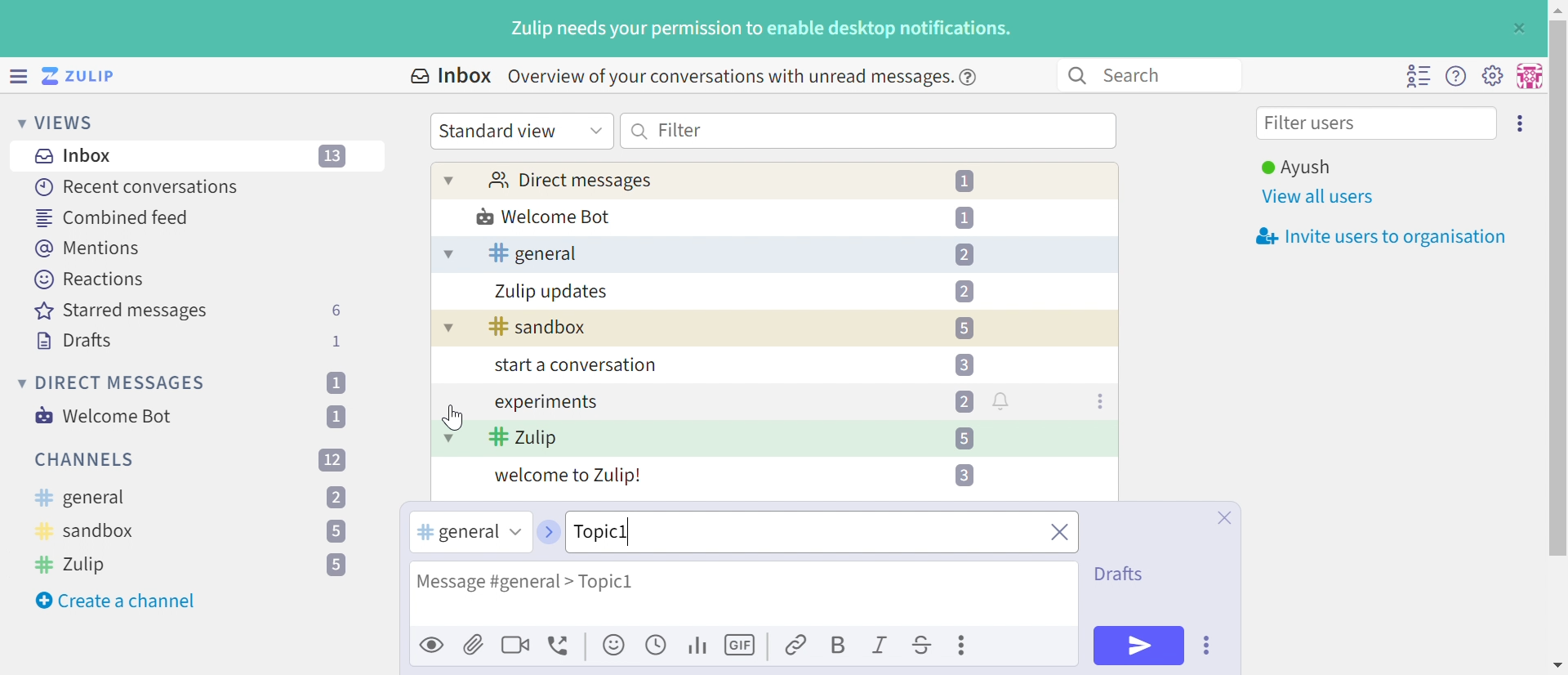 The image size is (1568, 675). I want to click on vertical scrollbar, so click(1558, 288).